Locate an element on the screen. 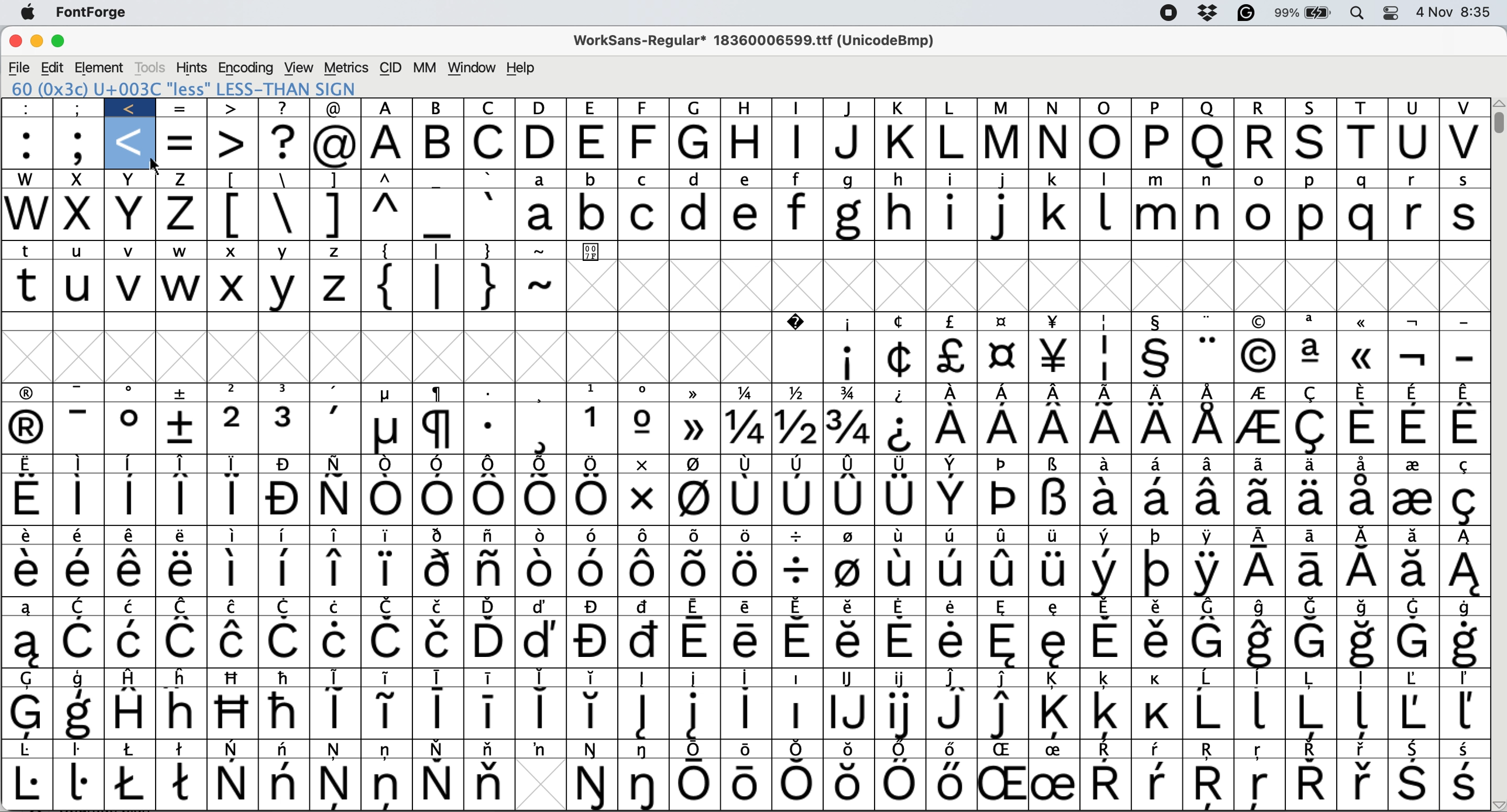  Symbol is located at coordinates (542, 395).